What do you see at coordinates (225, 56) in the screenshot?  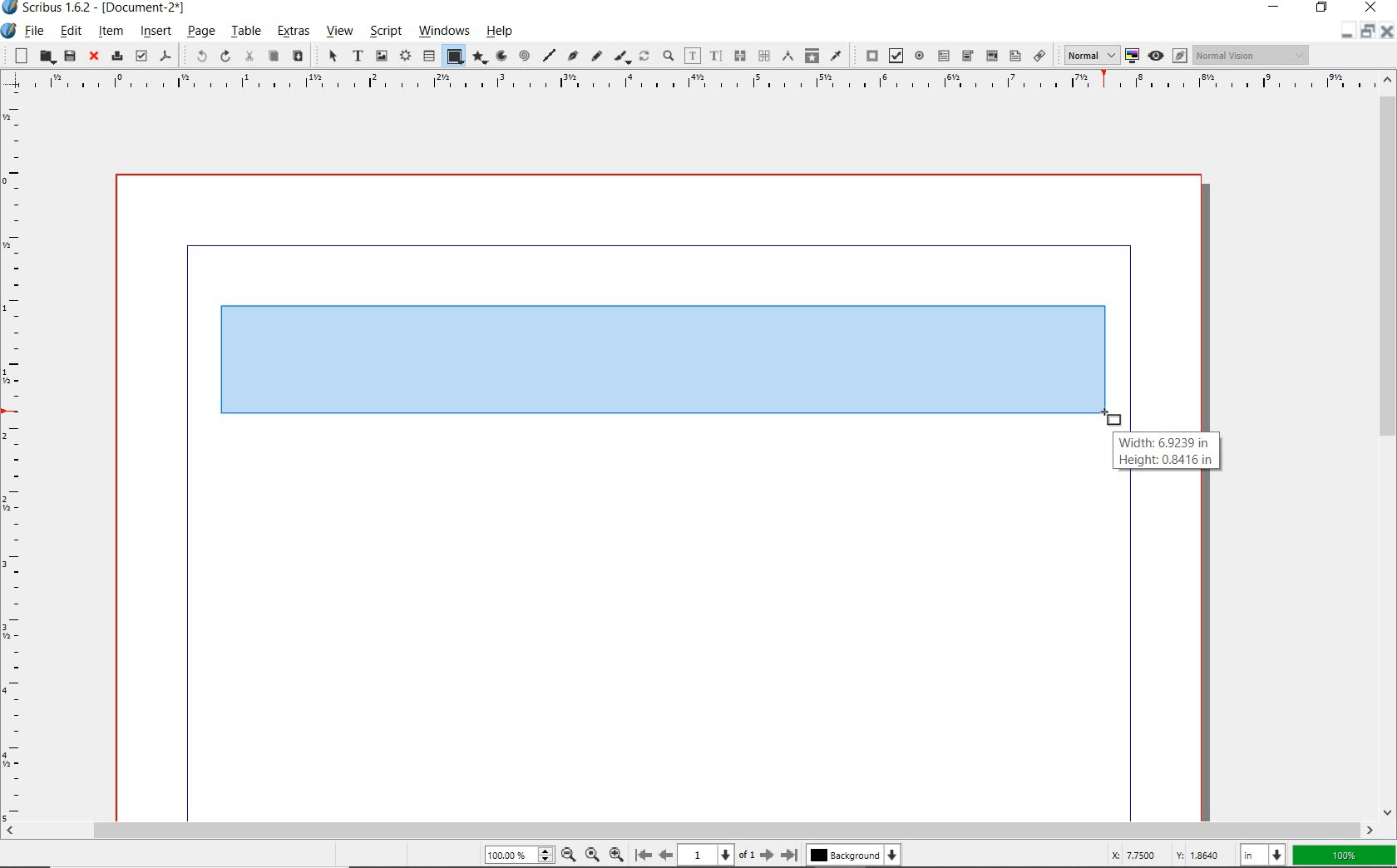 I see `redo` at bounding box center [225, 56].